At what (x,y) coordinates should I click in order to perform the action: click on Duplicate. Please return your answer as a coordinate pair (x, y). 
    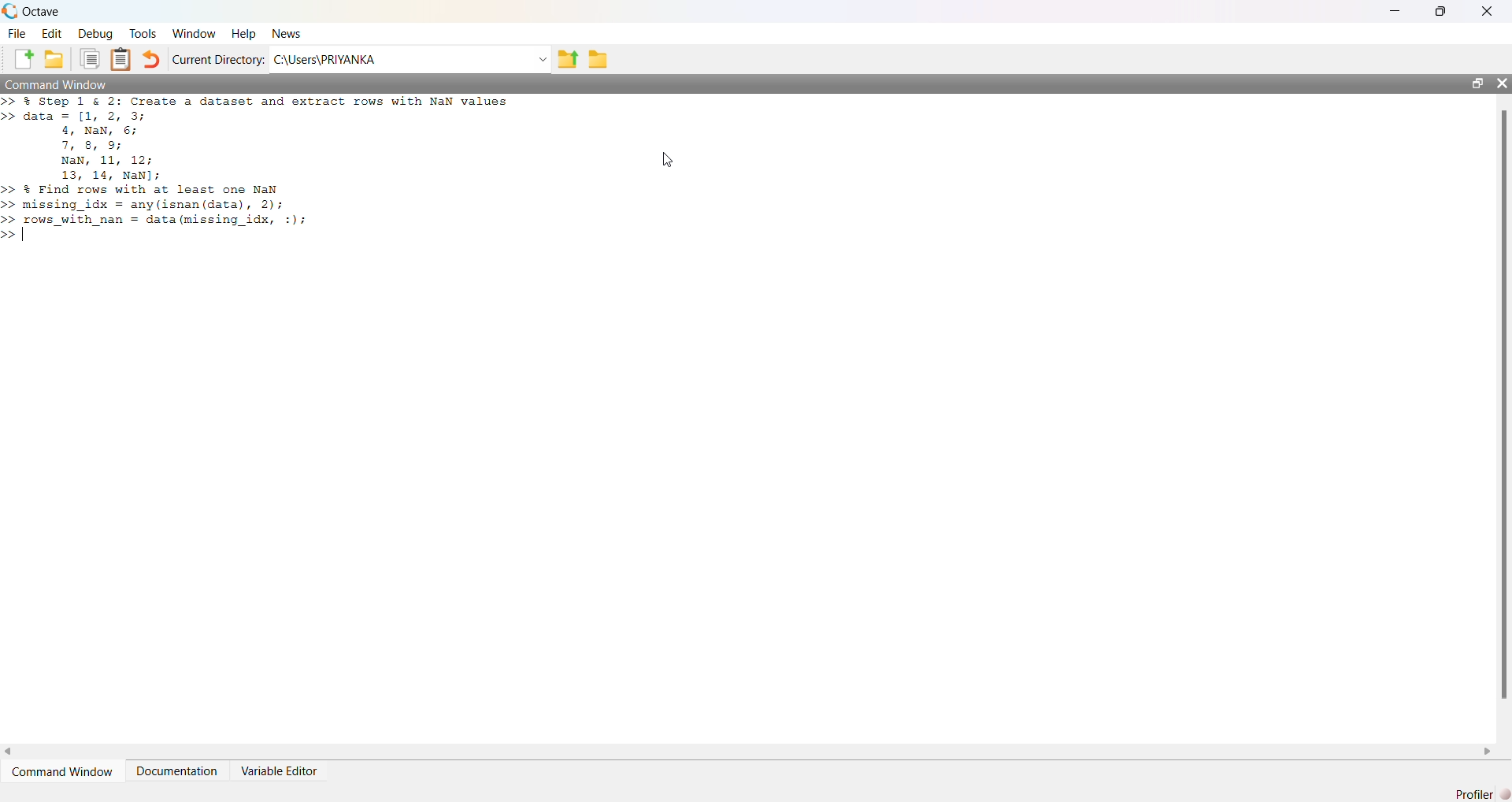
    Looking at the image, I should click on (90, 59).